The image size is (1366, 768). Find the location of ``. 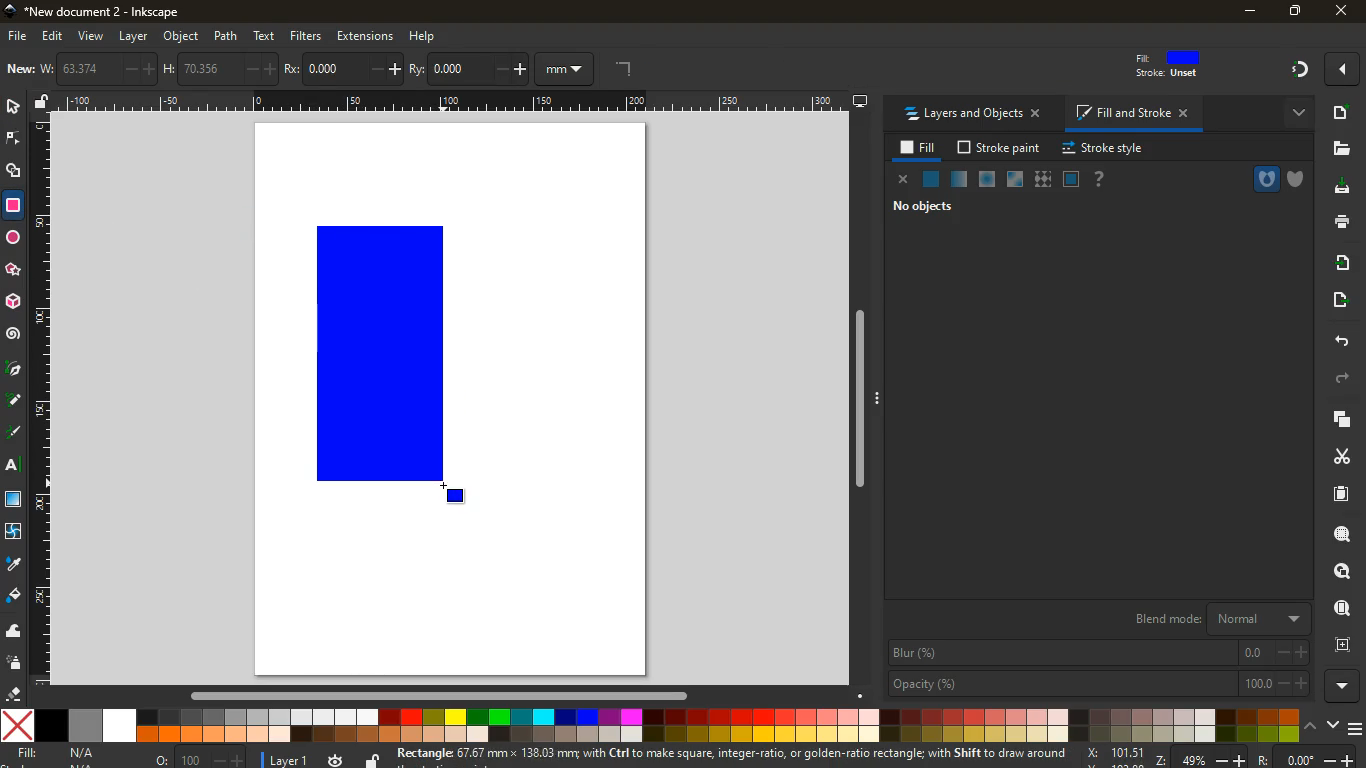

 is located at coordinates (13, 240).